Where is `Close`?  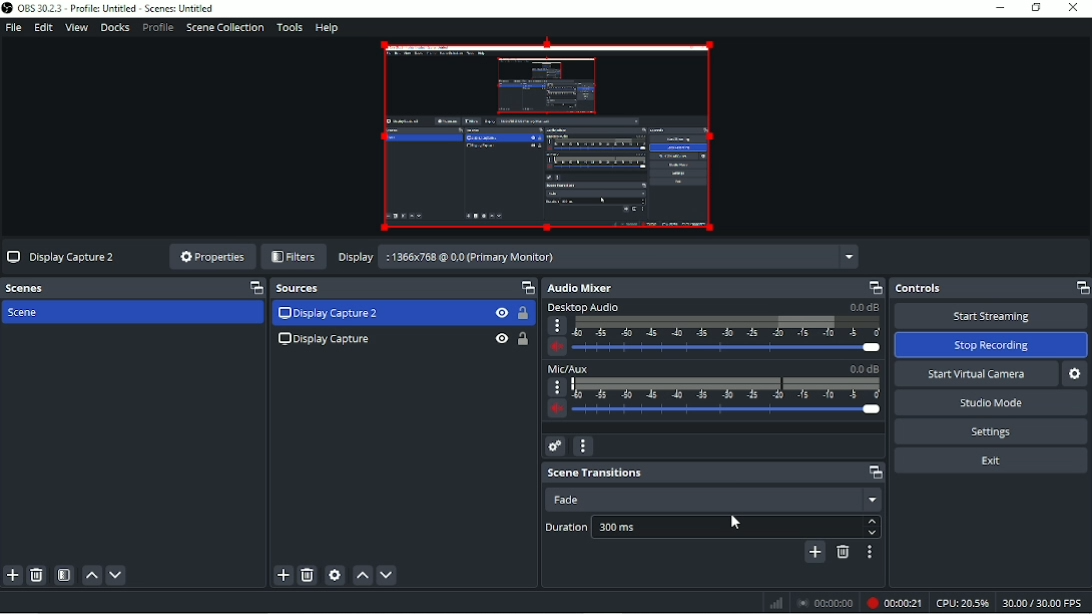 Close is located at coordinates (1075, 9).